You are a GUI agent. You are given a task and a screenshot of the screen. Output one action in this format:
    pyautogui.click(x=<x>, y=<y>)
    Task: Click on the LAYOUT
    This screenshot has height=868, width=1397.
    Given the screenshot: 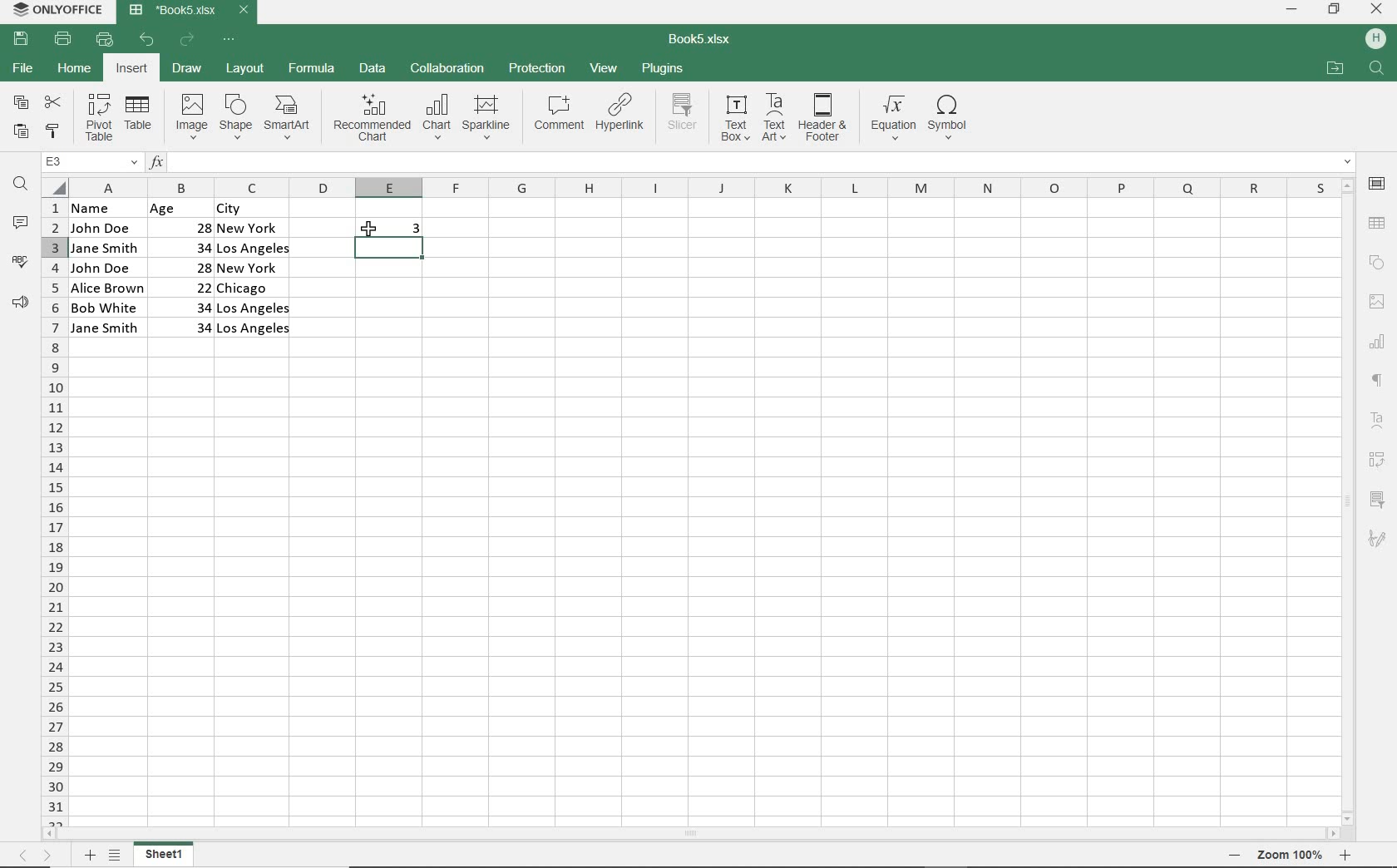 What is the action you would take?
    pyautogui.click(x=245, y=69)
    